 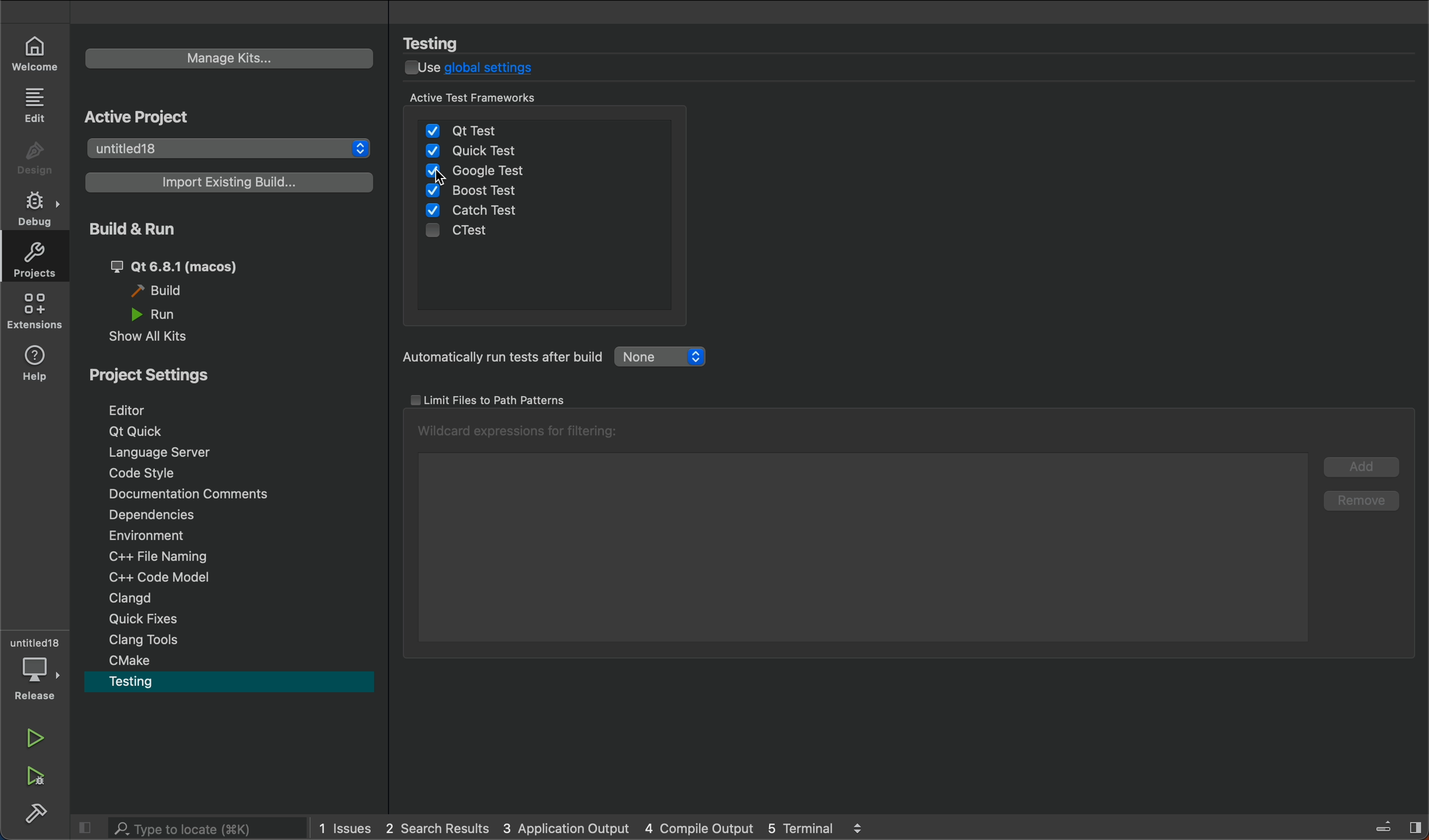 What do you see at coordinates (223, 411) in the screenshot?
I see `` at bounding box center [223, 411].